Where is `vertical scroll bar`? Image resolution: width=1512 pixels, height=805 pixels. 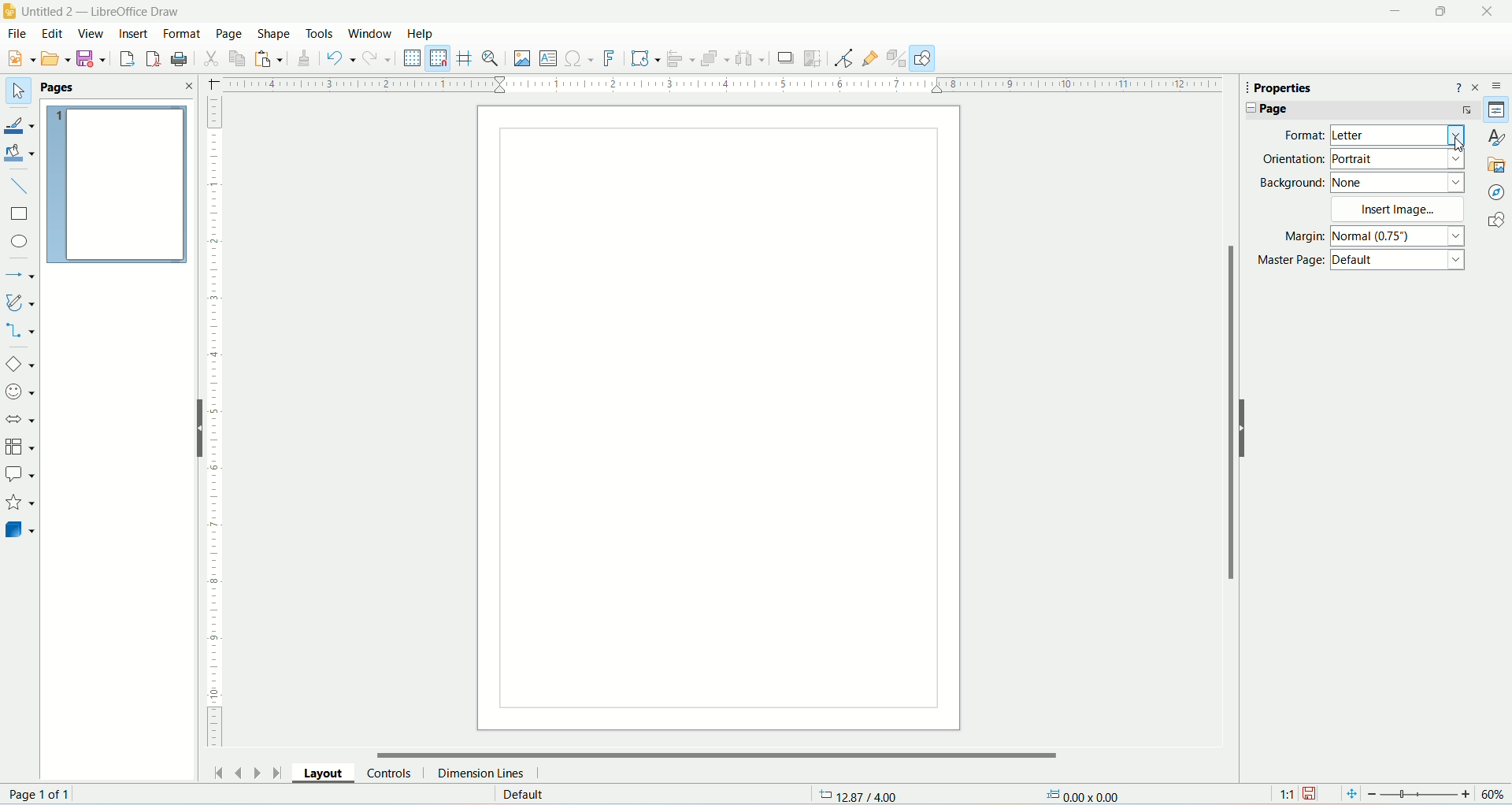 vertical scroll bar is located at coordinates (1227, 454).